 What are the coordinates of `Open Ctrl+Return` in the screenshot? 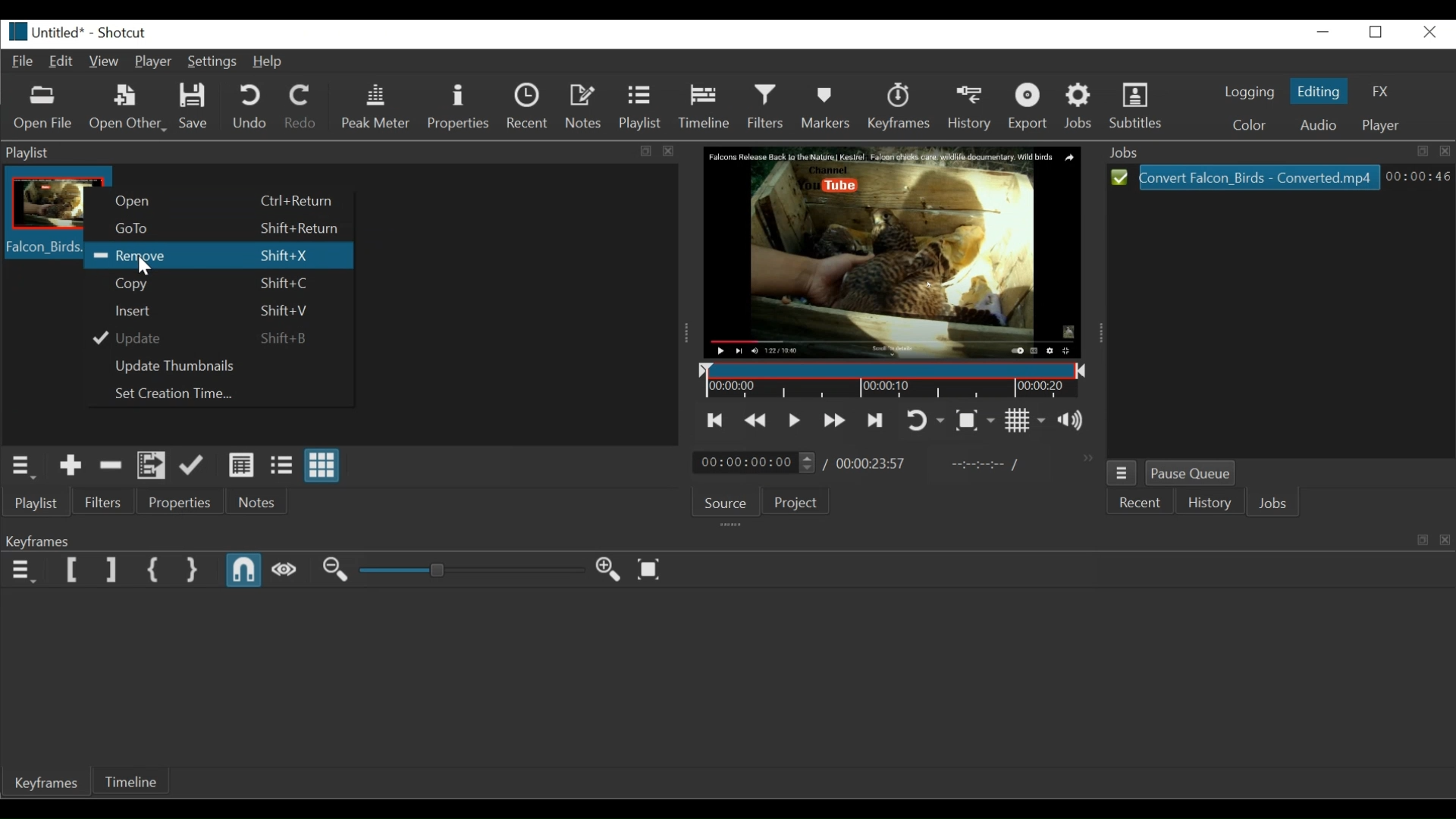 It's located at (215, 203).